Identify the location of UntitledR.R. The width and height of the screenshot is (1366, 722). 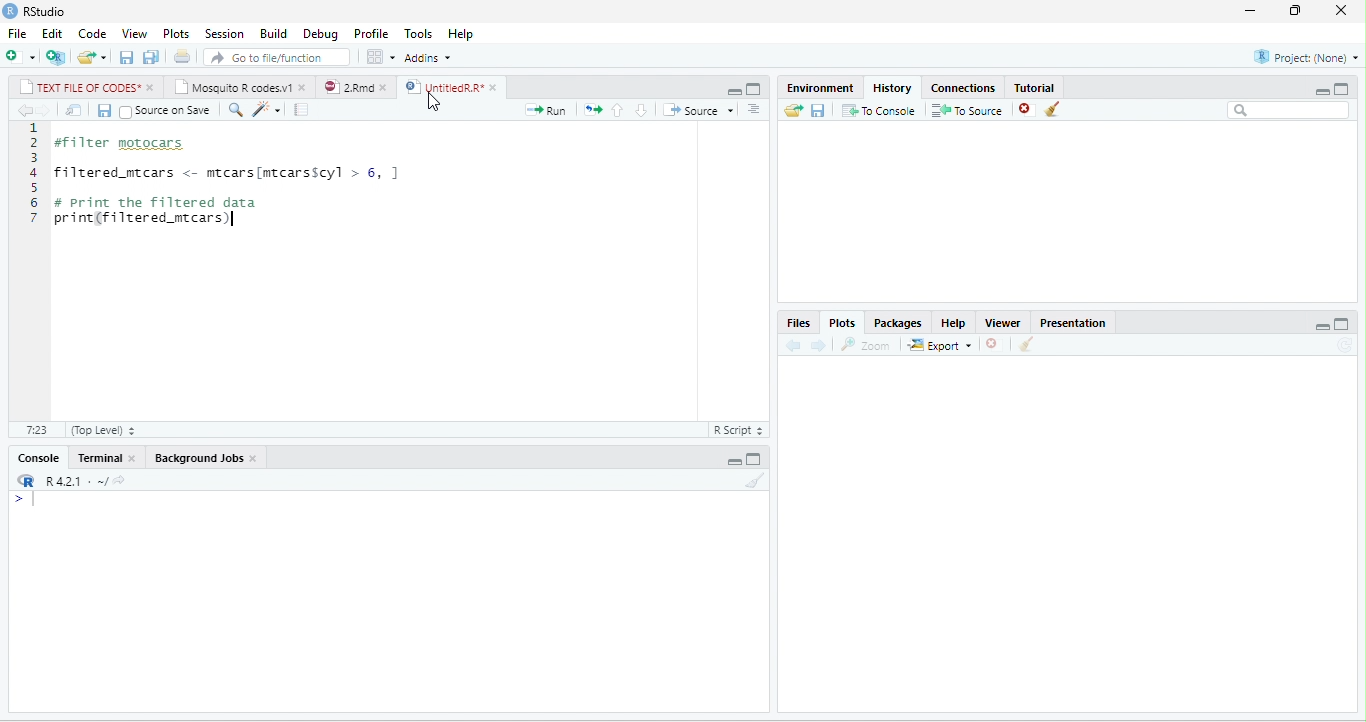
(441, 87).